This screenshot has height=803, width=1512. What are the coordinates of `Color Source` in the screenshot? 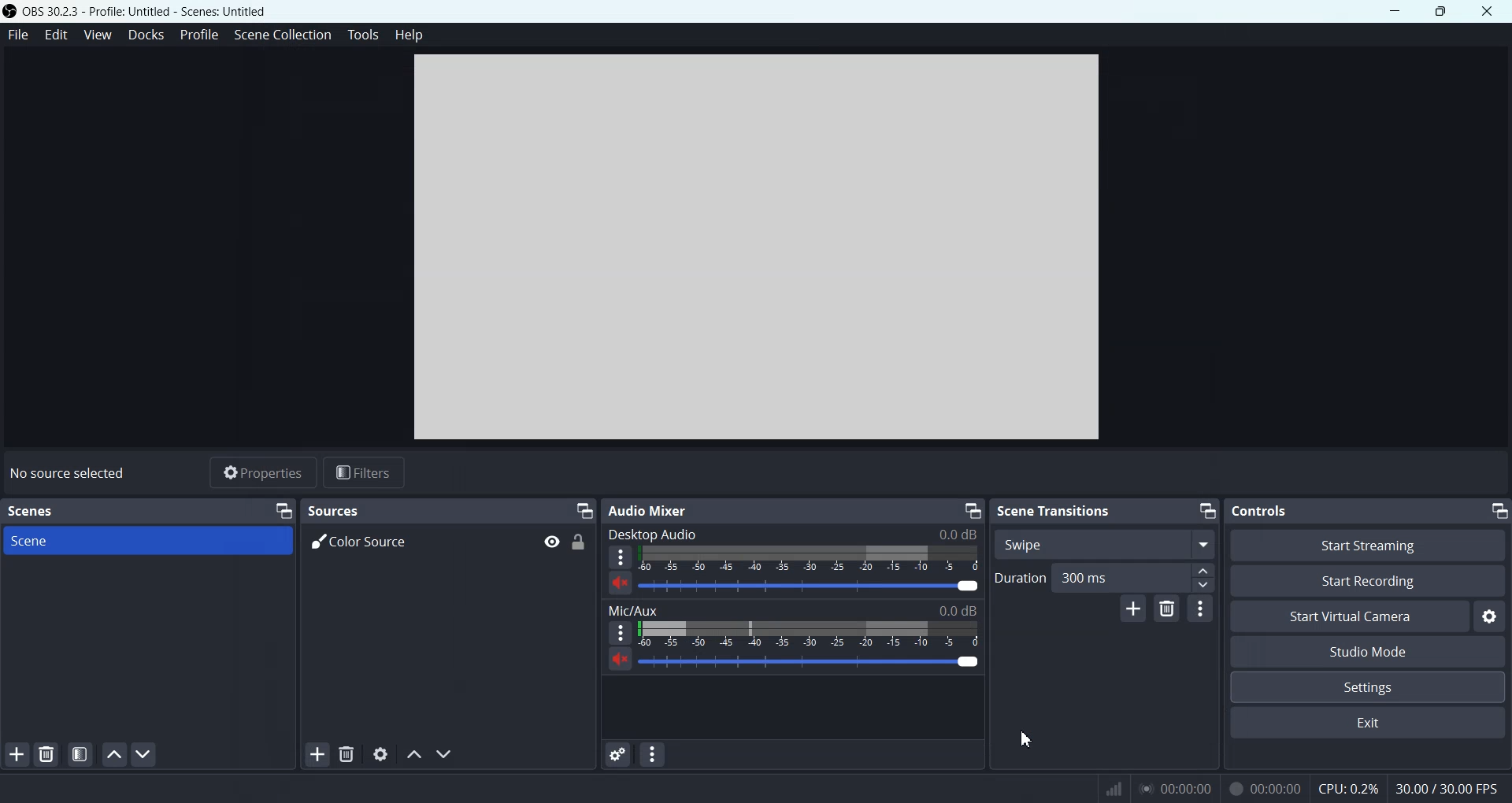 It's located at (419, 542).